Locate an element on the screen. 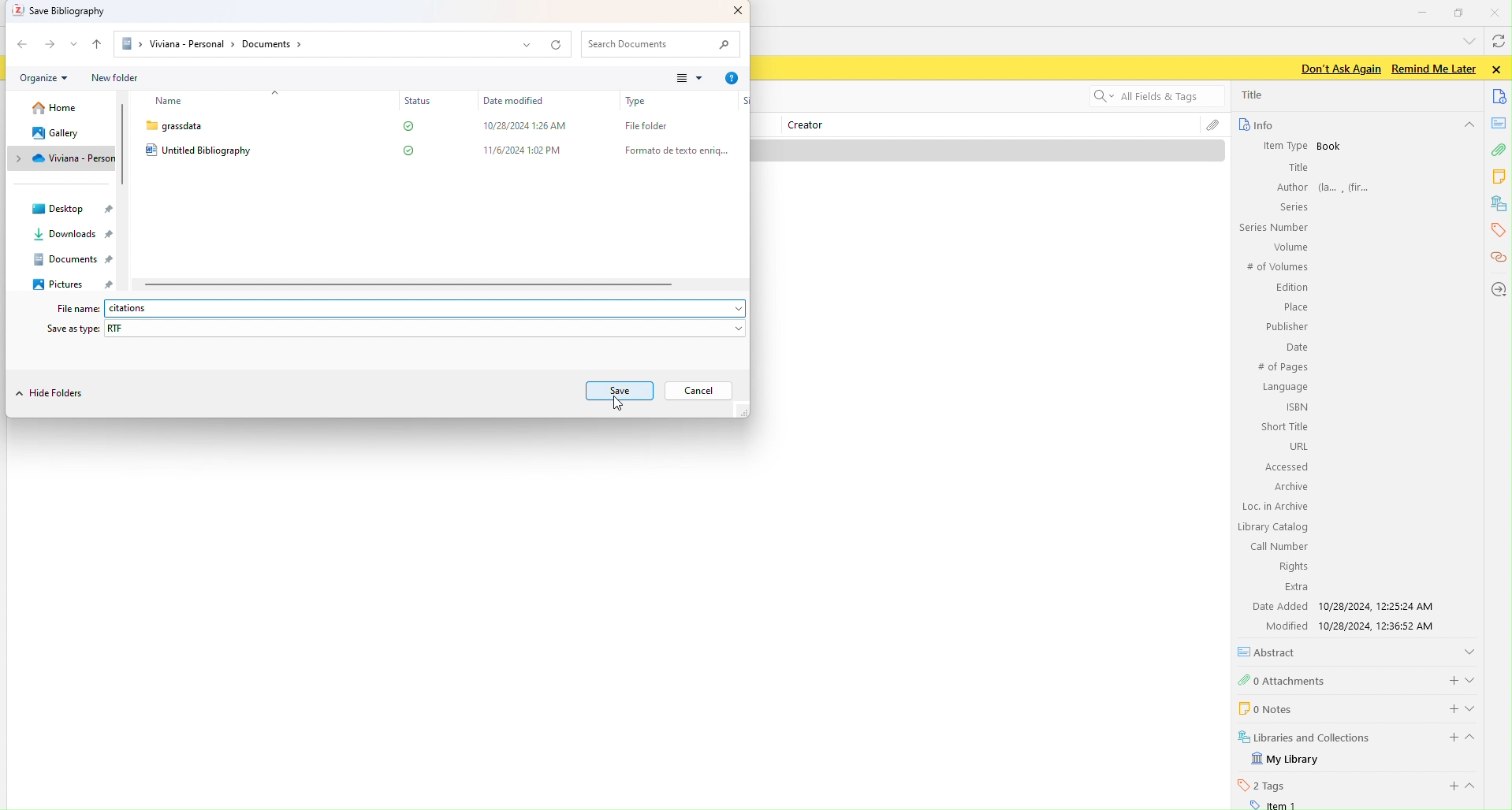 The height and width of the screenshot is (810, 1512). Check is located at coordinates (404, 128).